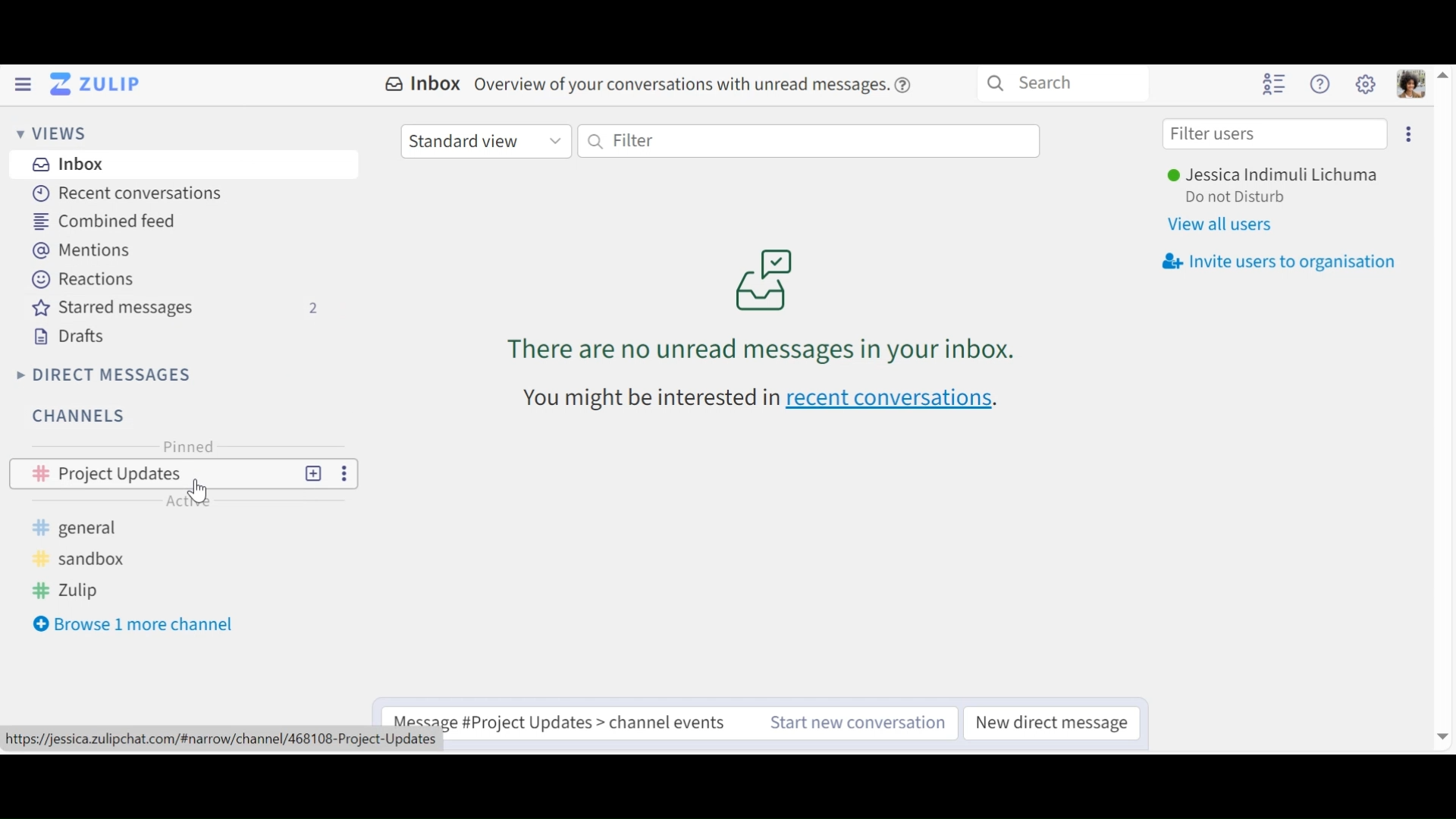 The width and height of the screenshot is (1456, 819). Describe the element at coordinates (1282, 261) in the screenshot. I see `Invite users to oraginsation` at that location.